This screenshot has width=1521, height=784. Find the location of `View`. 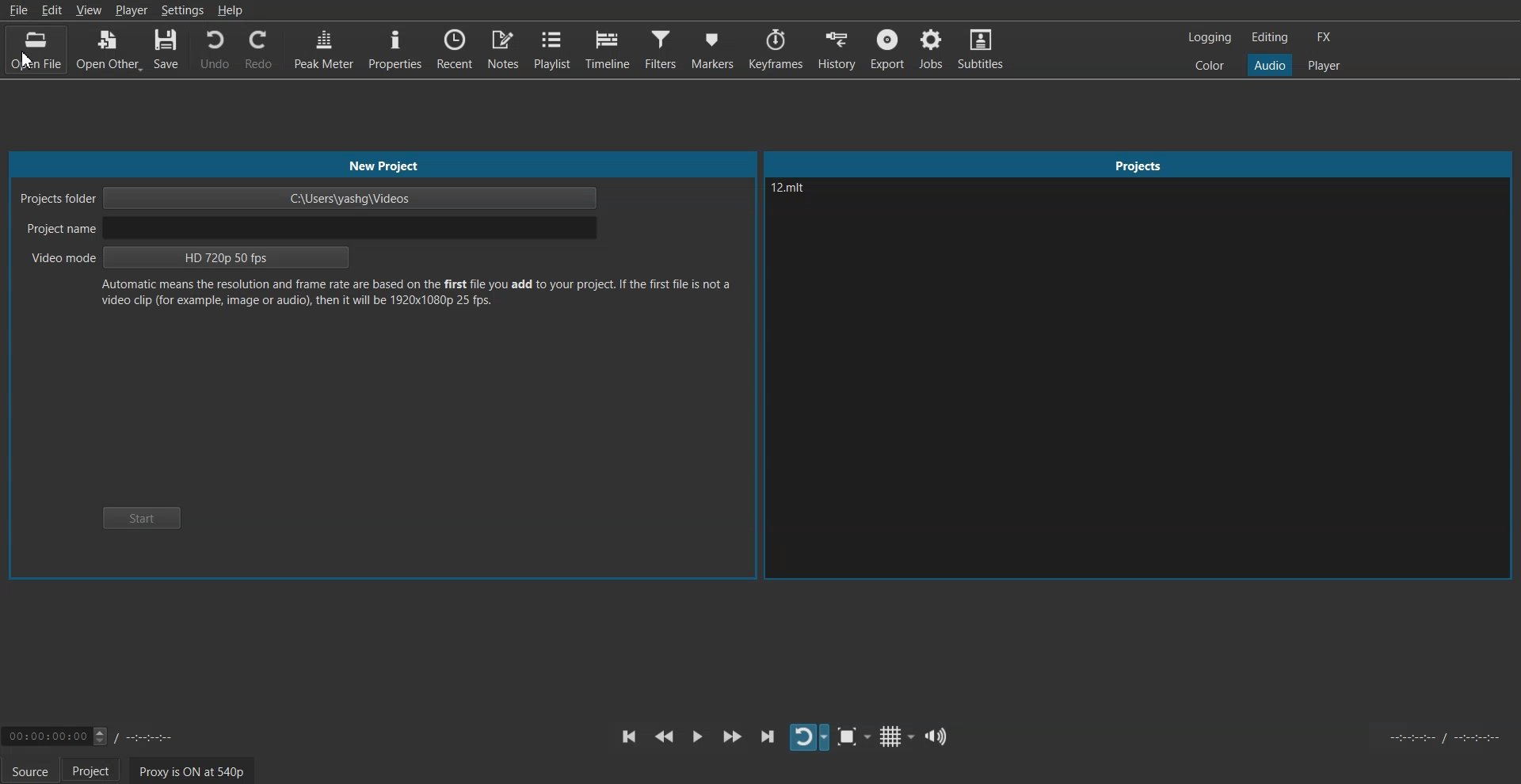

View is located at coordinates (90, 9).